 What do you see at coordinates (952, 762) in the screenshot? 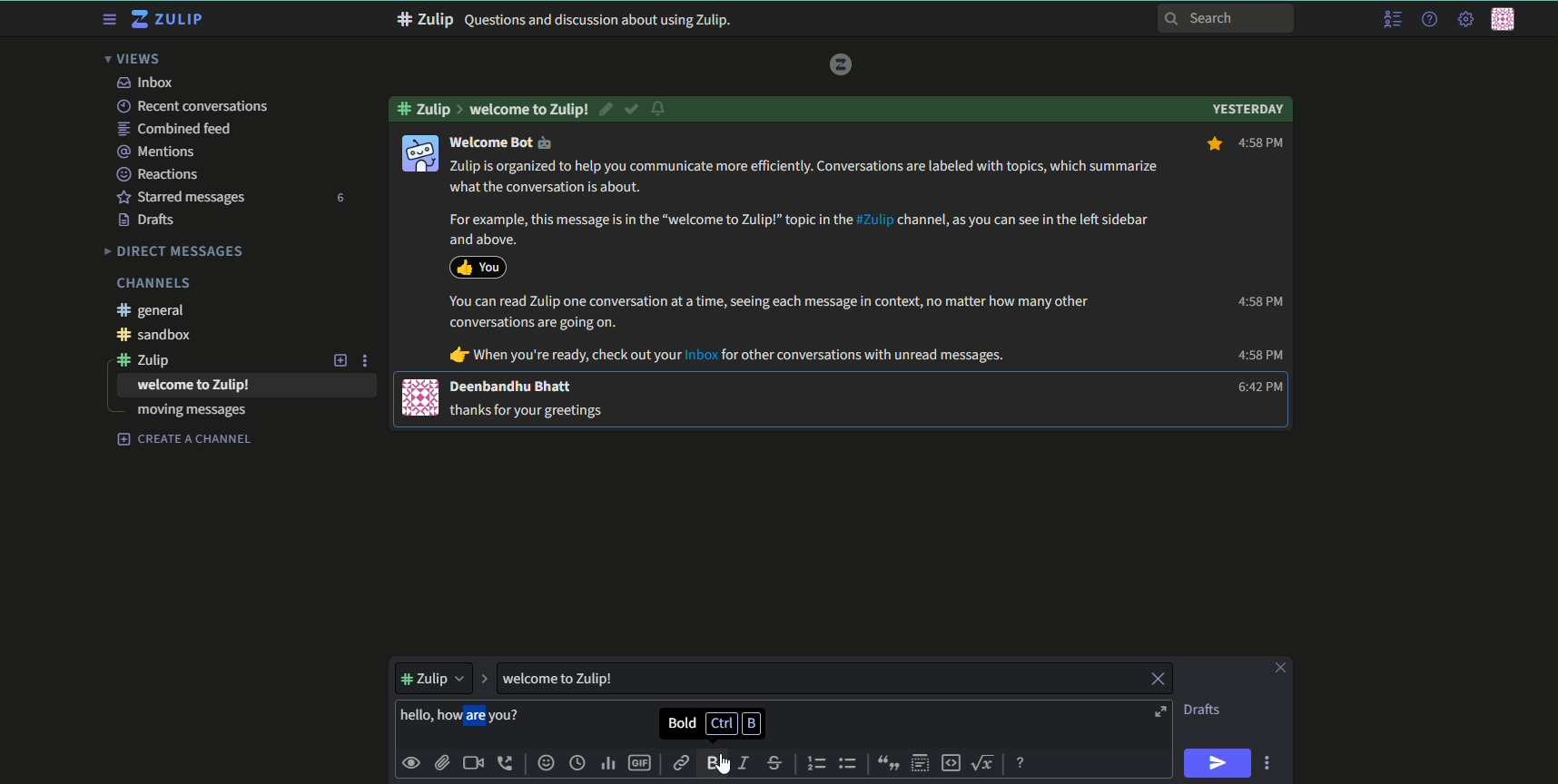
I see `code` at bounding box center [952, 762].